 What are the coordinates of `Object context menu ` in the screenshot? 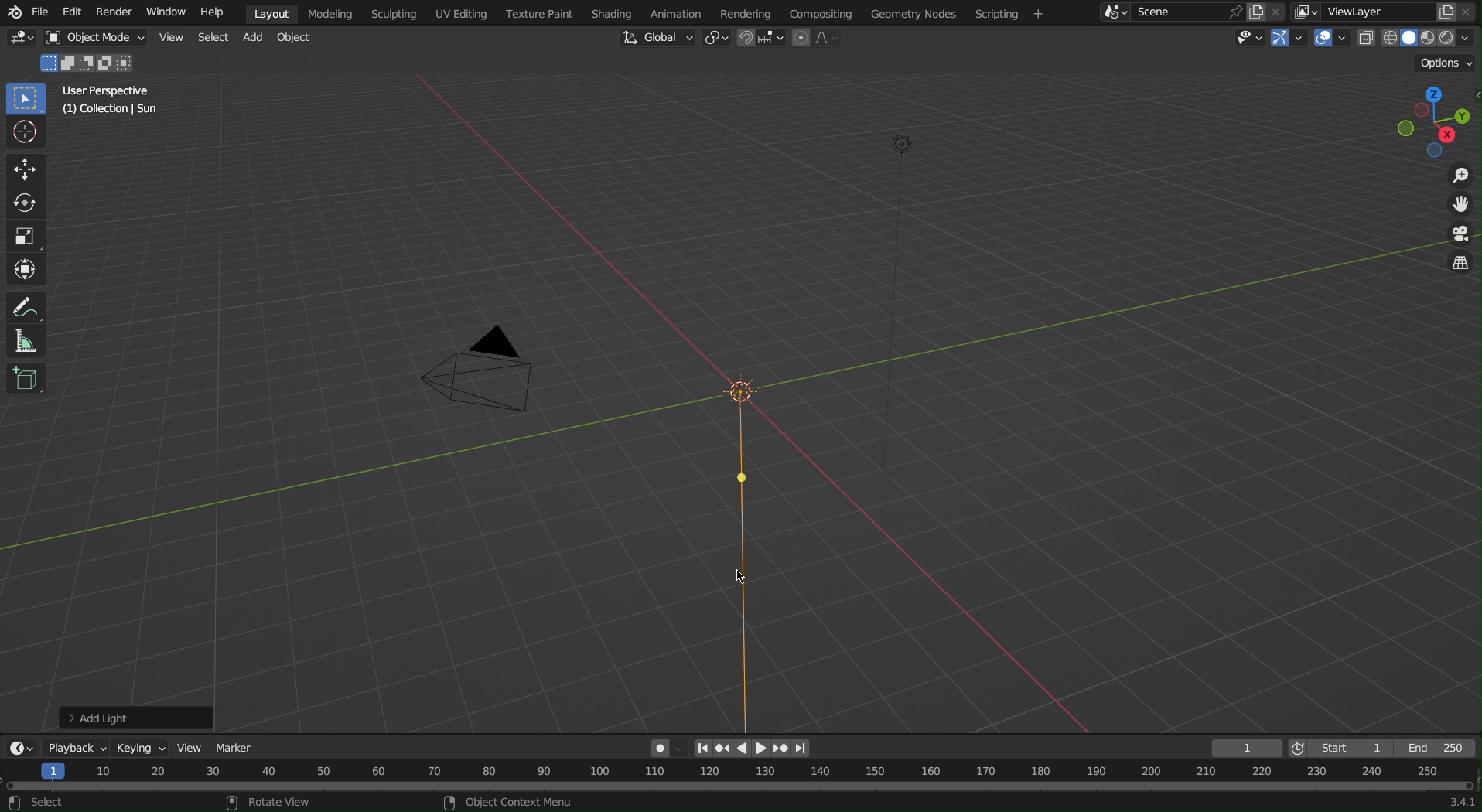 It's located at (511, 801).